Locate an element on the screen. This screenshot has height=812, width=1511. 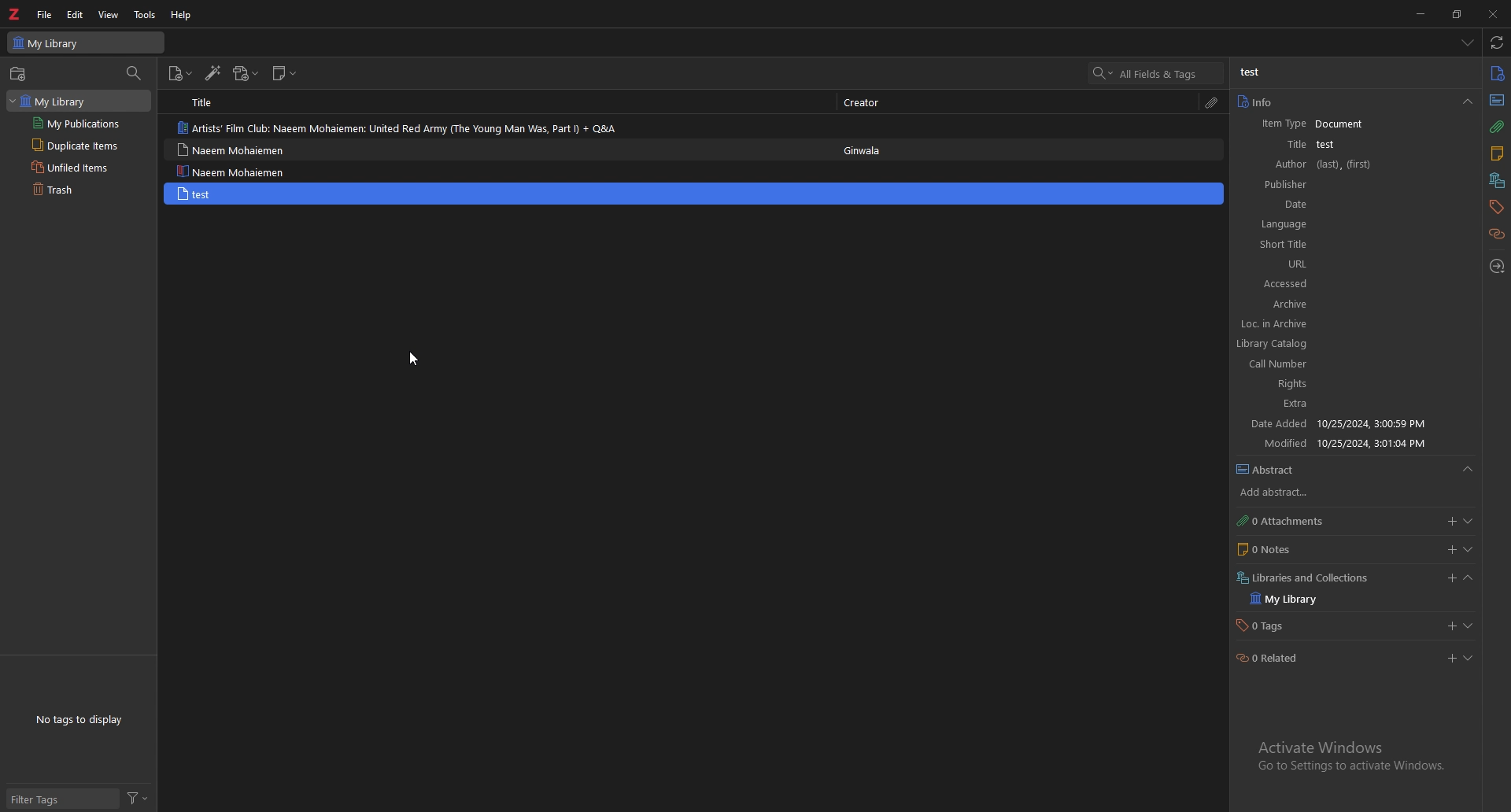
Author is located at coordinates (1331, 164).